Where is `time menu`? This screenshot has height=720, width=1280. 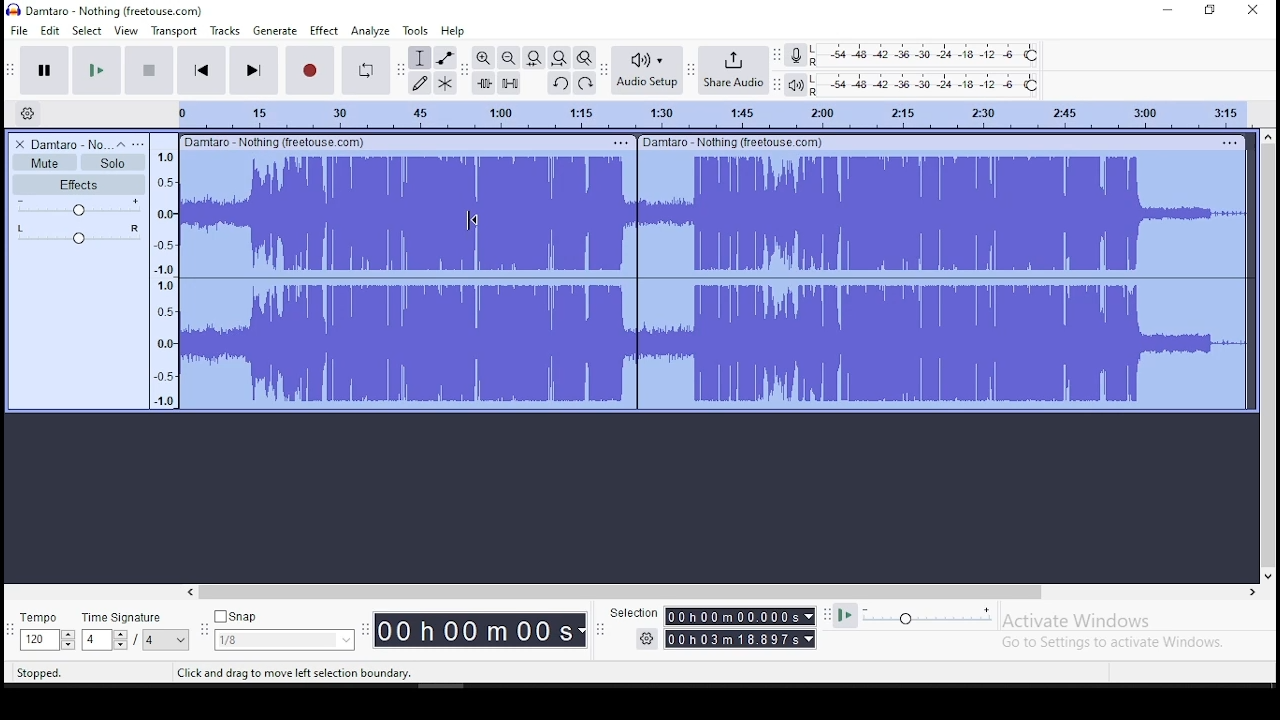
time menu is located at coordinates (741, 617).